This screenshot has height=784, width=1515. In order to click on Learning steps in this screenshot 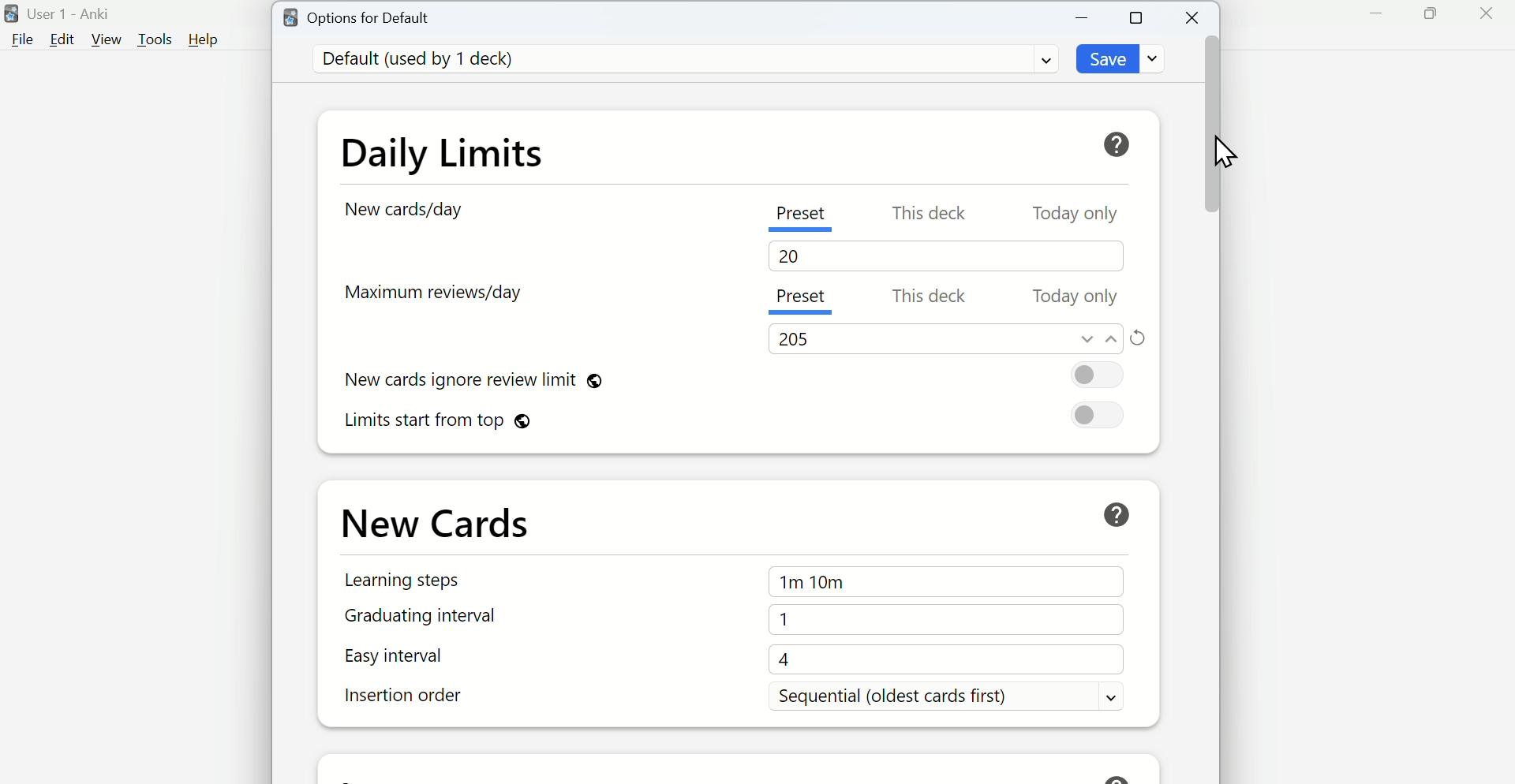, I will do `click(402, 581)`.